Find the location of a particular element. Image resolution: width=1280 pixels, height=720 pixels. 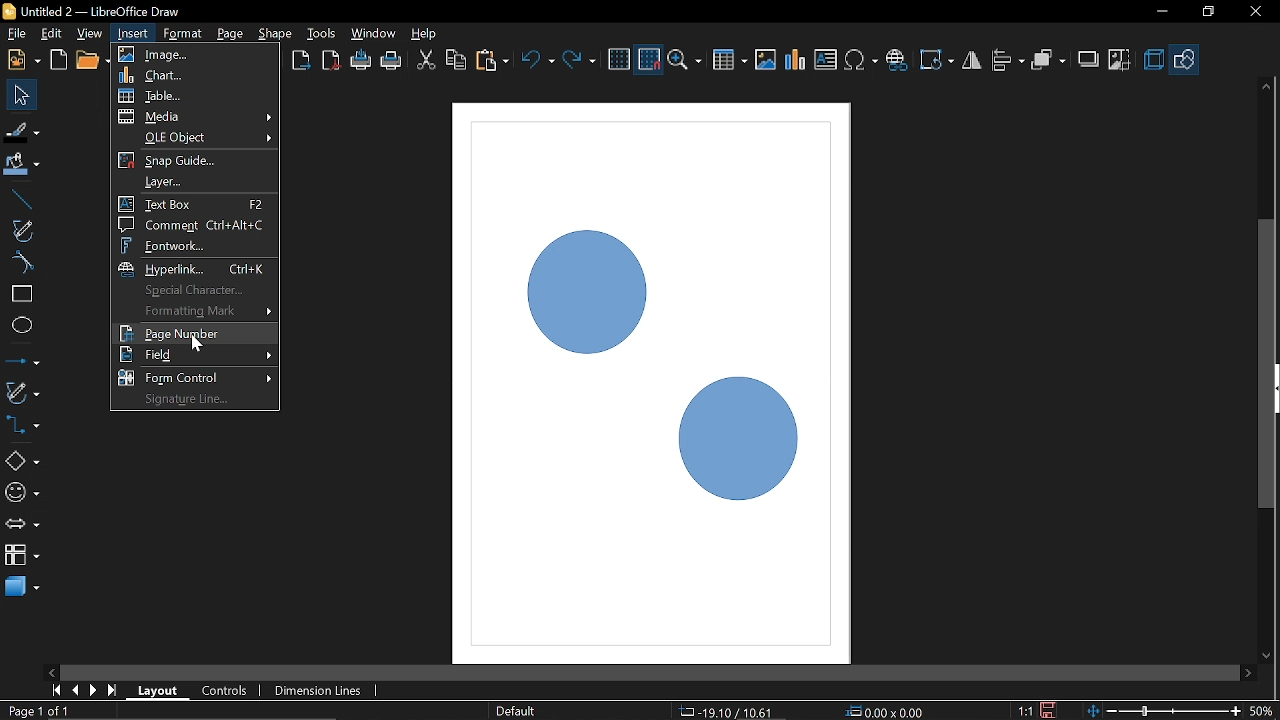

Insert hyperlink is located at coordinates (897, 60).